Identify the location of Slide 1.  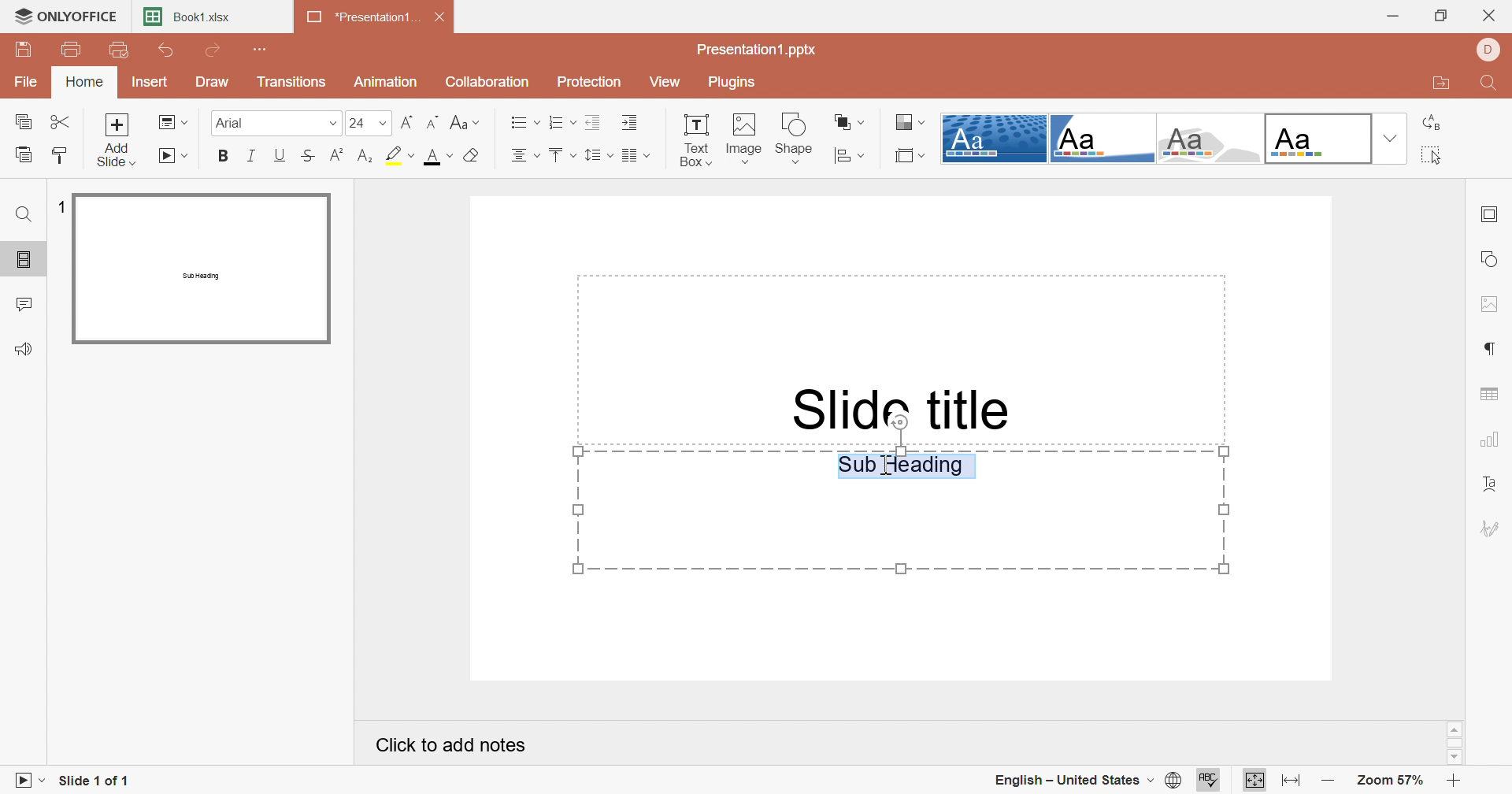
(202, 269).